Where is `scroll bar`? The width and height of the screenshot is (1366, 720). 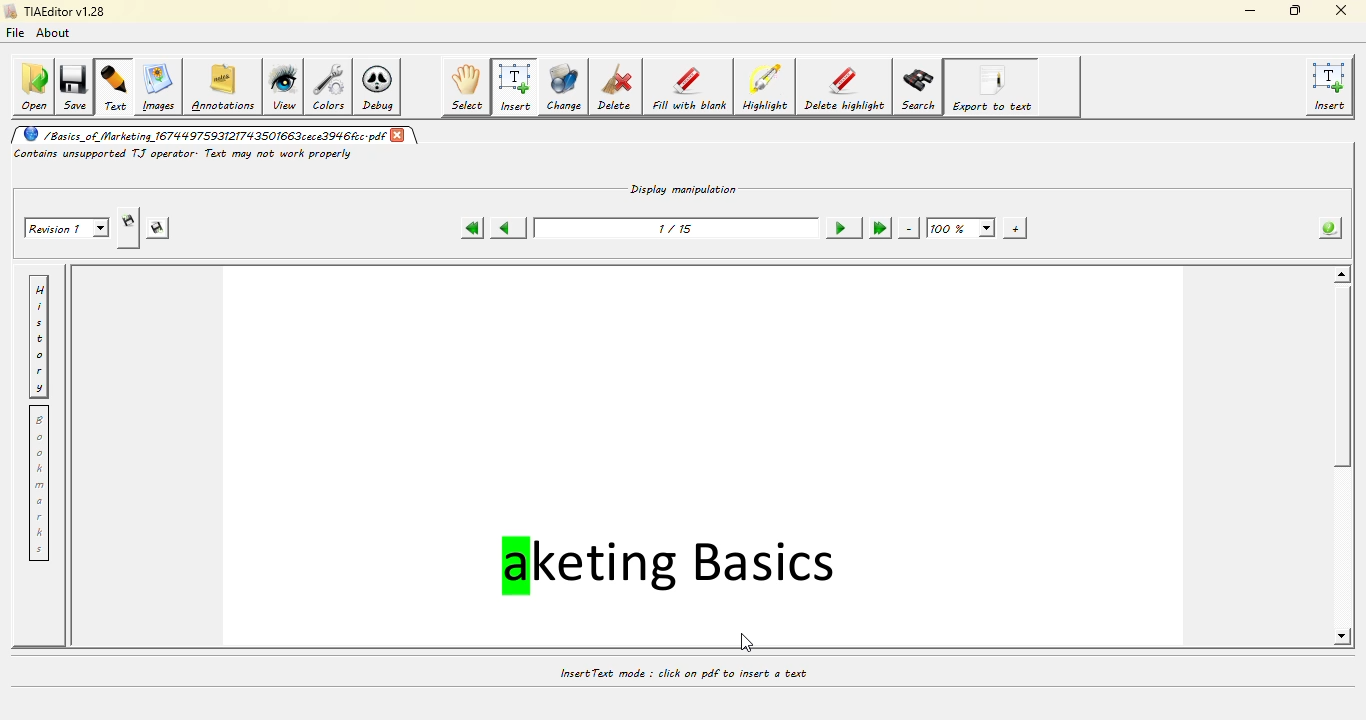 scroll bar is located at coordinates (1346, 385).